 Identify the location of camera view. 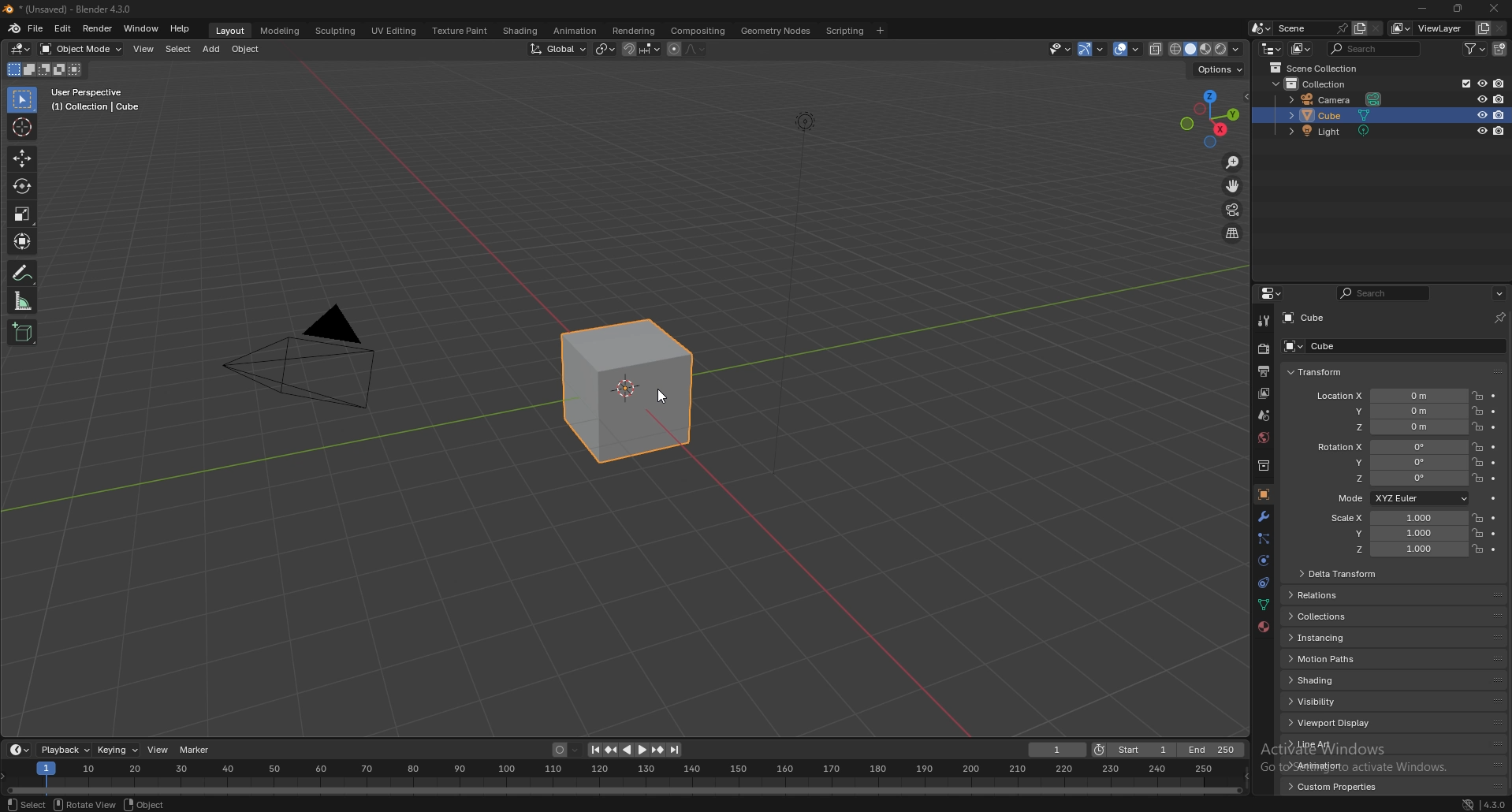
(1235, 210).